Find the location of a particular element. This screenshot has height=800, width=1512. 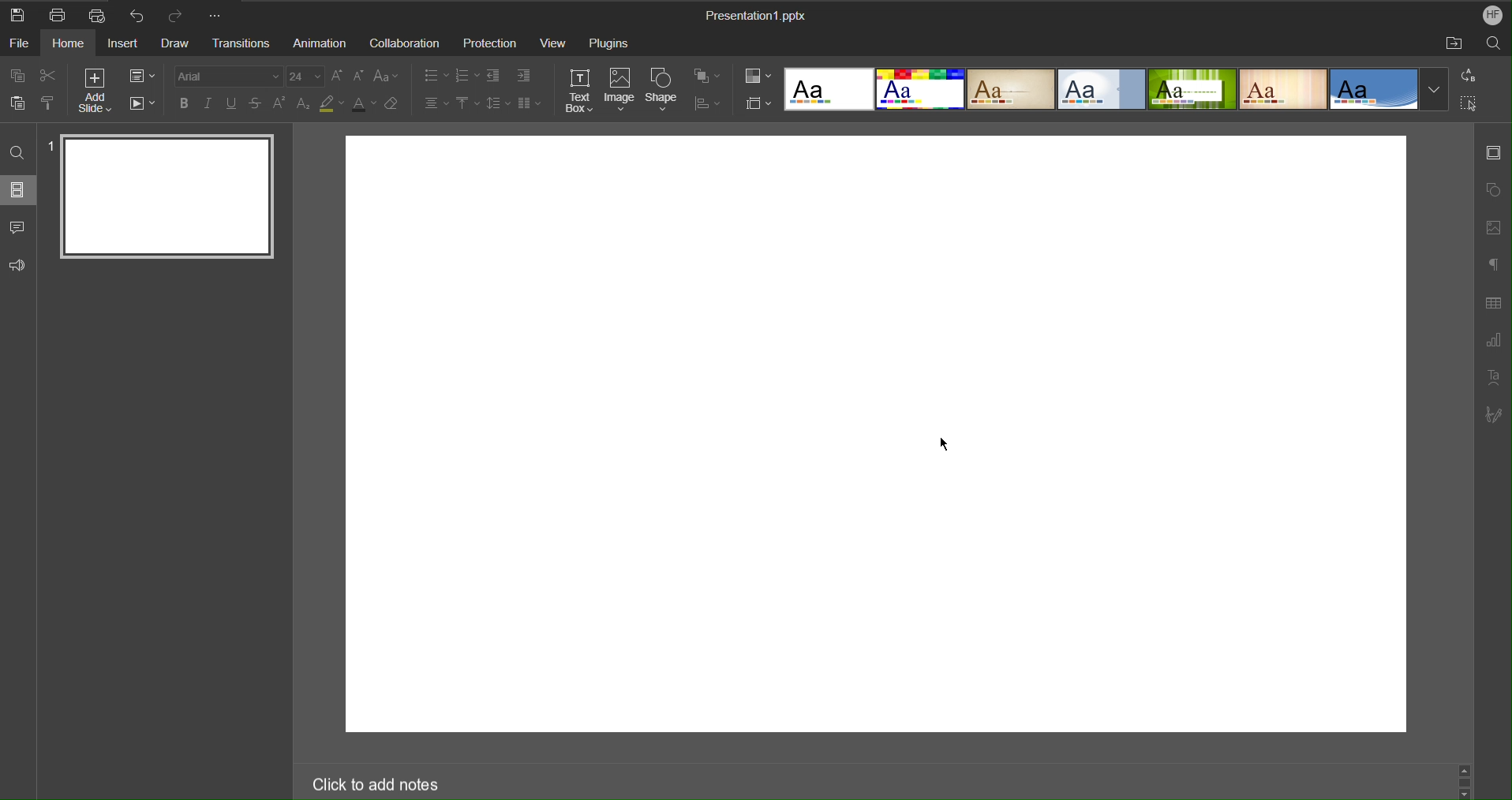

Decrease Indent is located at coordinates (494, 75).